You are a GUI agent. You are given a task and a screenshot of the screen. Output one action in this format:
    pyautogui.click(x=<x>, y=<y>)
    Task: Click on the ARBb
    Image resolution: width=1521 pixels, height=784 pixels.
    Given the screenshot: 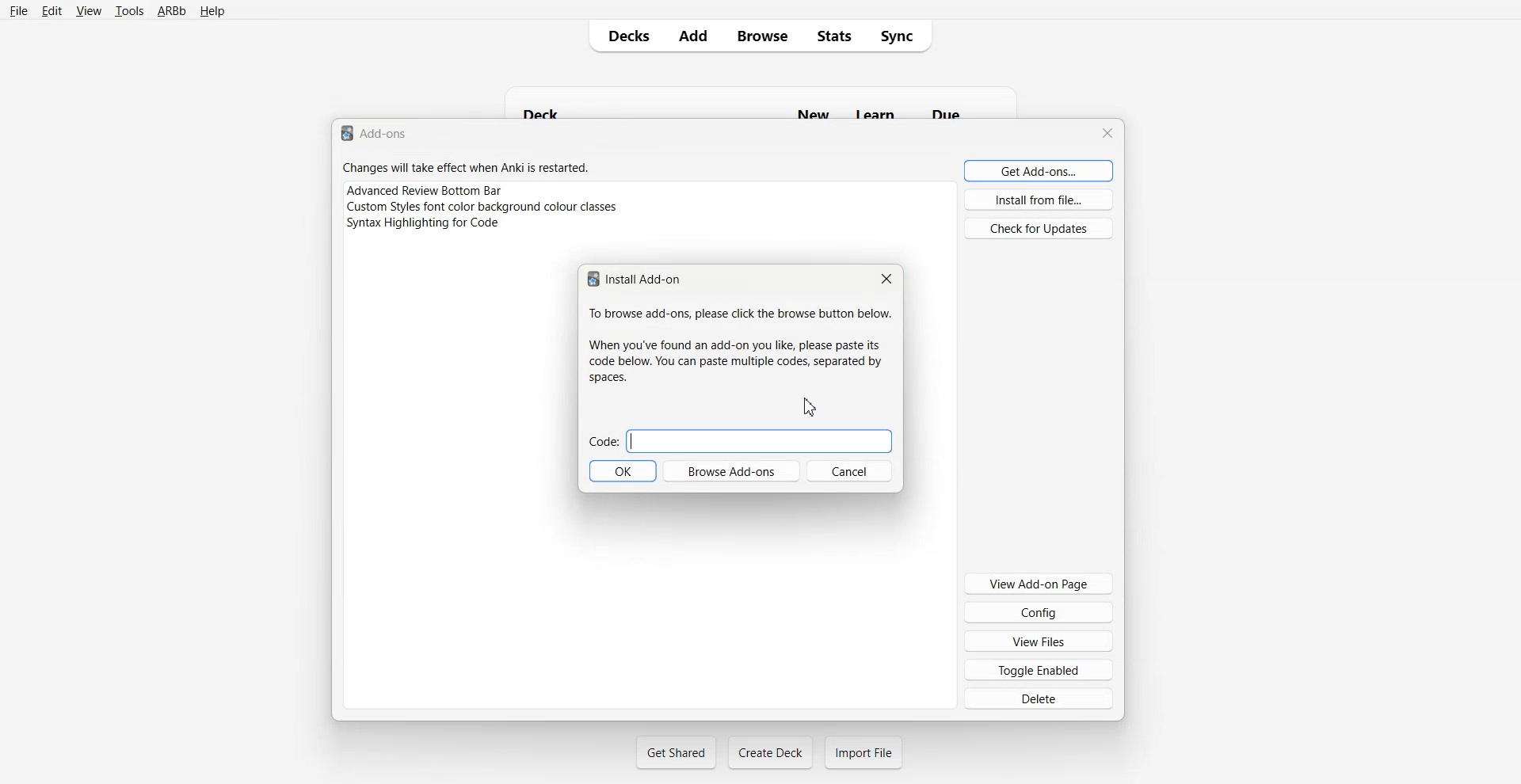 What is the action you would take?
    pyautogui.click(x=171, y=10)
    